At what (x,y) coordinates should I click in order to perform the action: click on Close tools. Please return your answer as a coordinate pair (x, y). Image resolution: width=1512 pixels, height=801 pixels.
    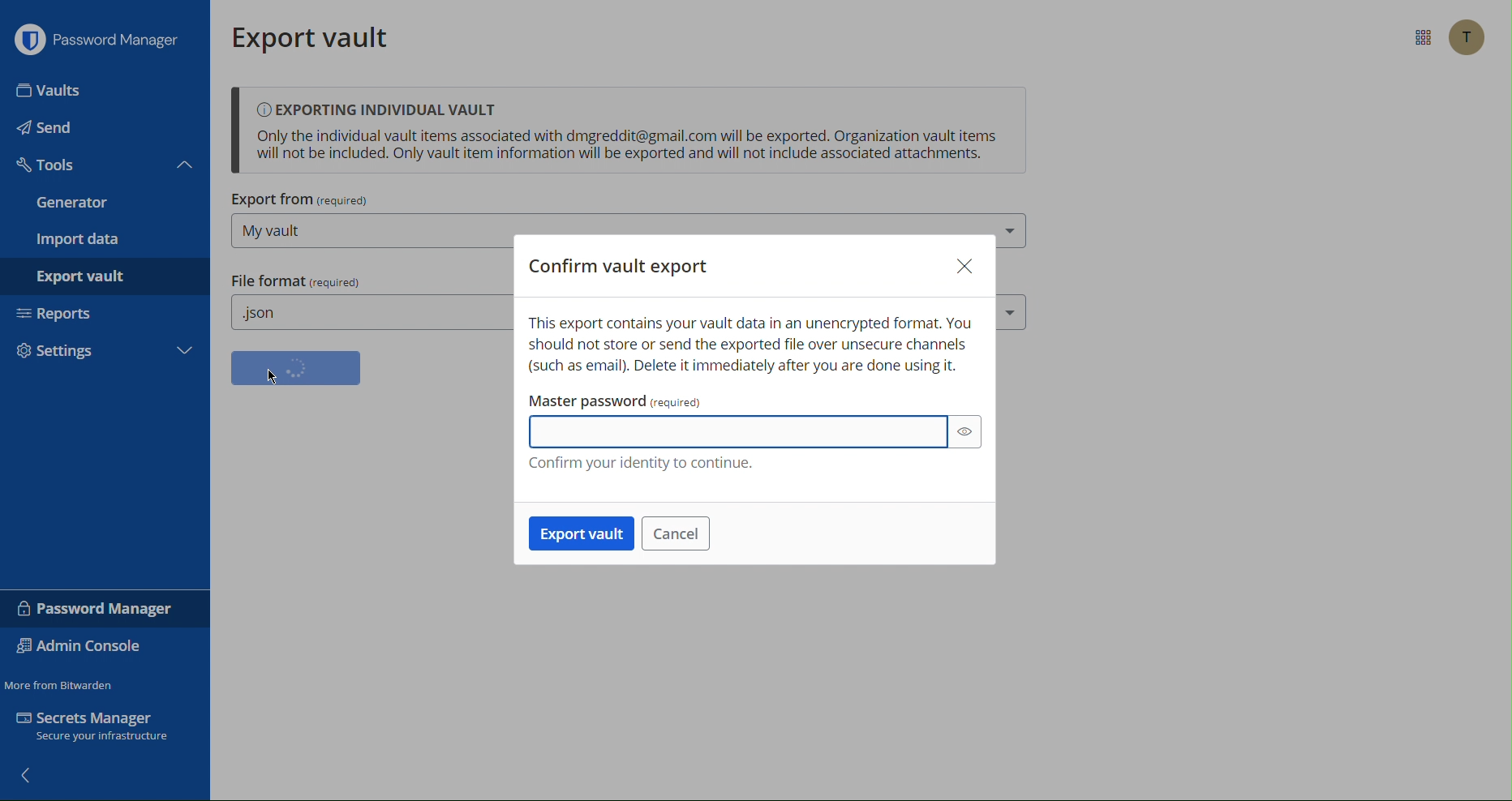
    Looking at the image, I should click on (186, 165).